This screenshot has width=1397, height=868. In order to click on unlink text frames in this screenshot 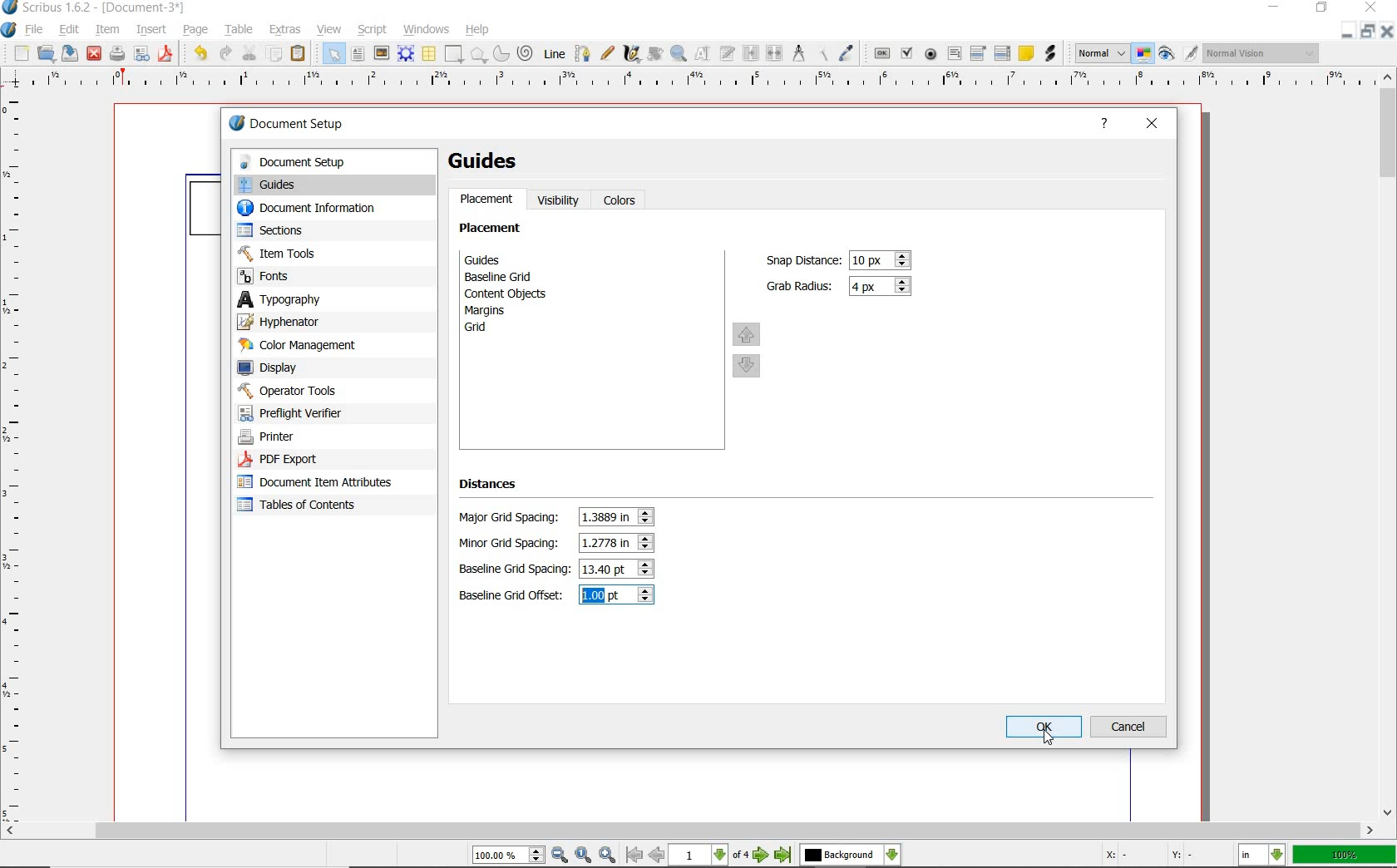, I will do `click(773, 52)`.